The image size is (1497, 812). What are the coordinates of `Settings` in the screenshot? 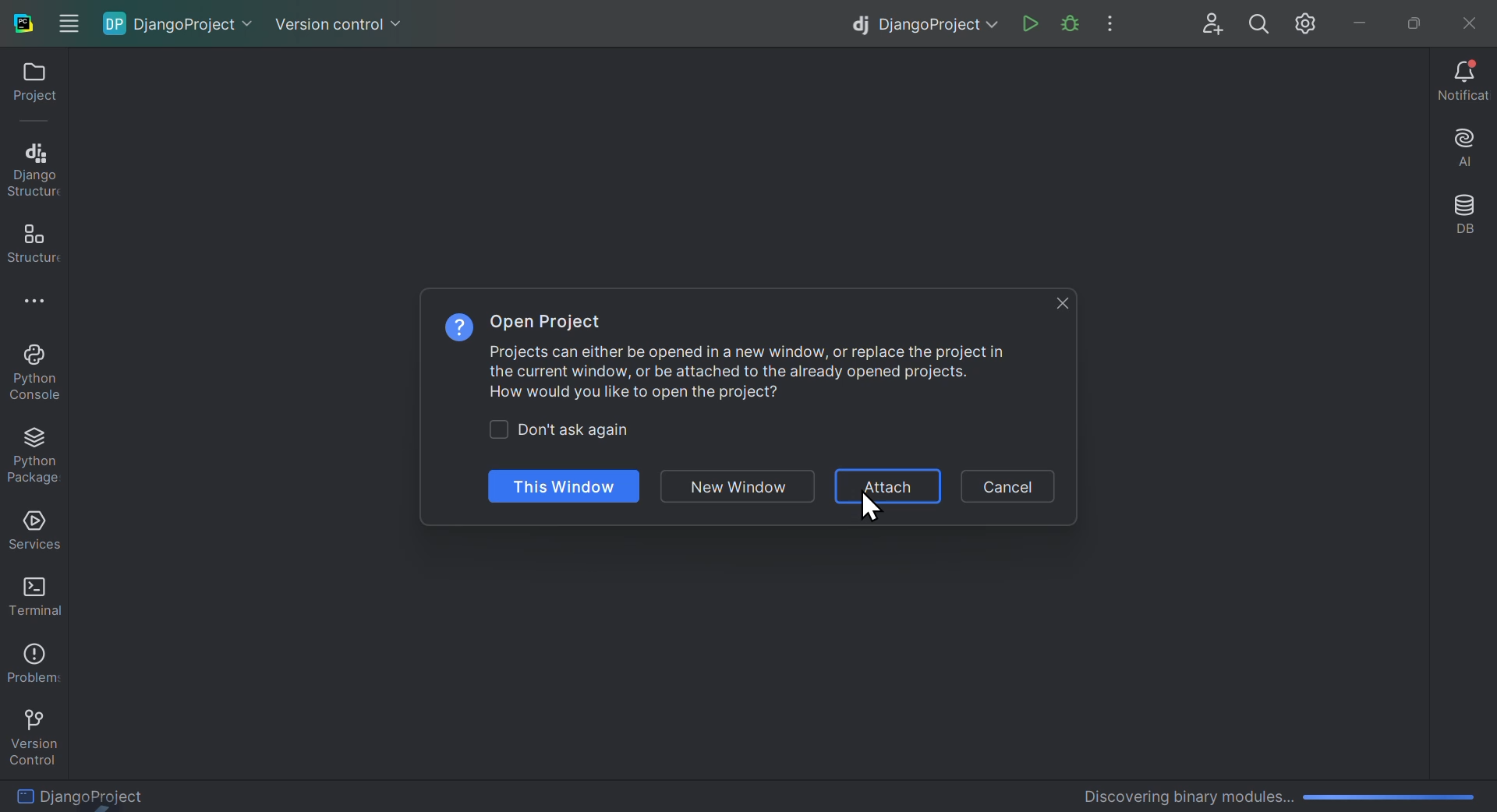 It's located at (1309, 24).